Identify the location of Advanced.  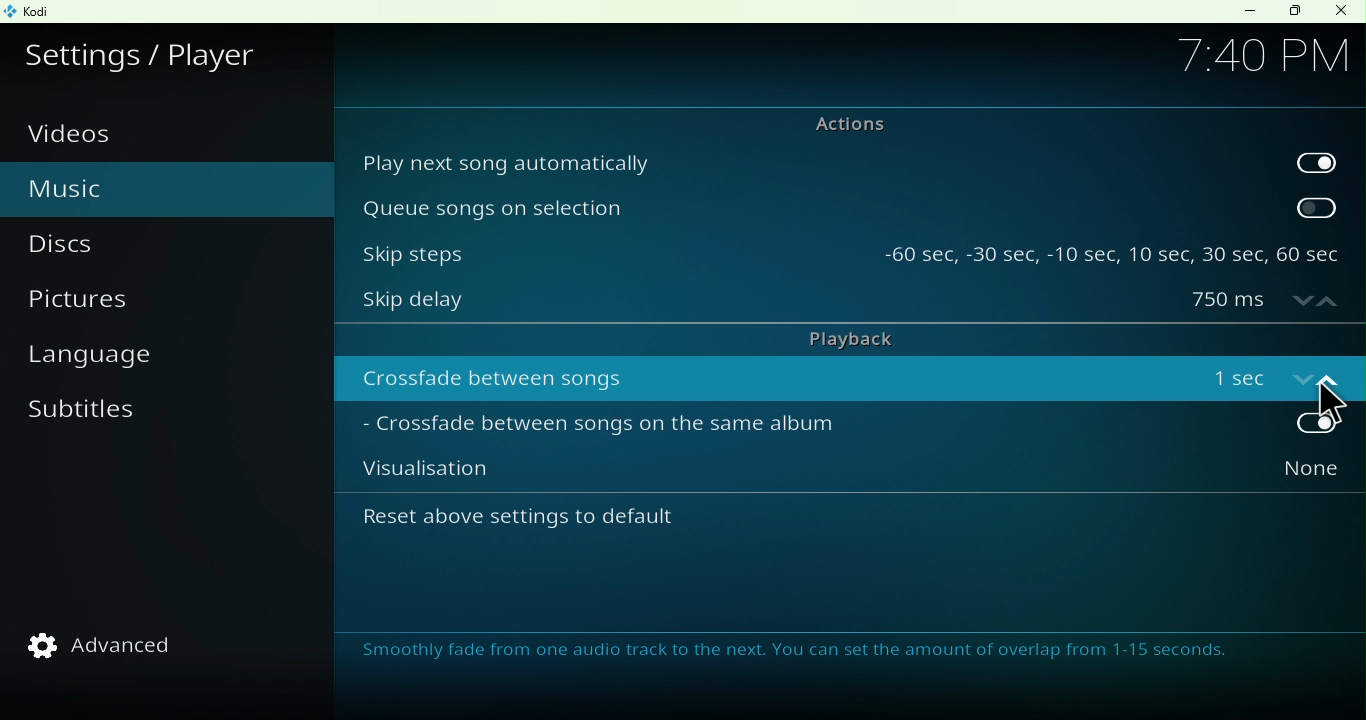
(114, 645).